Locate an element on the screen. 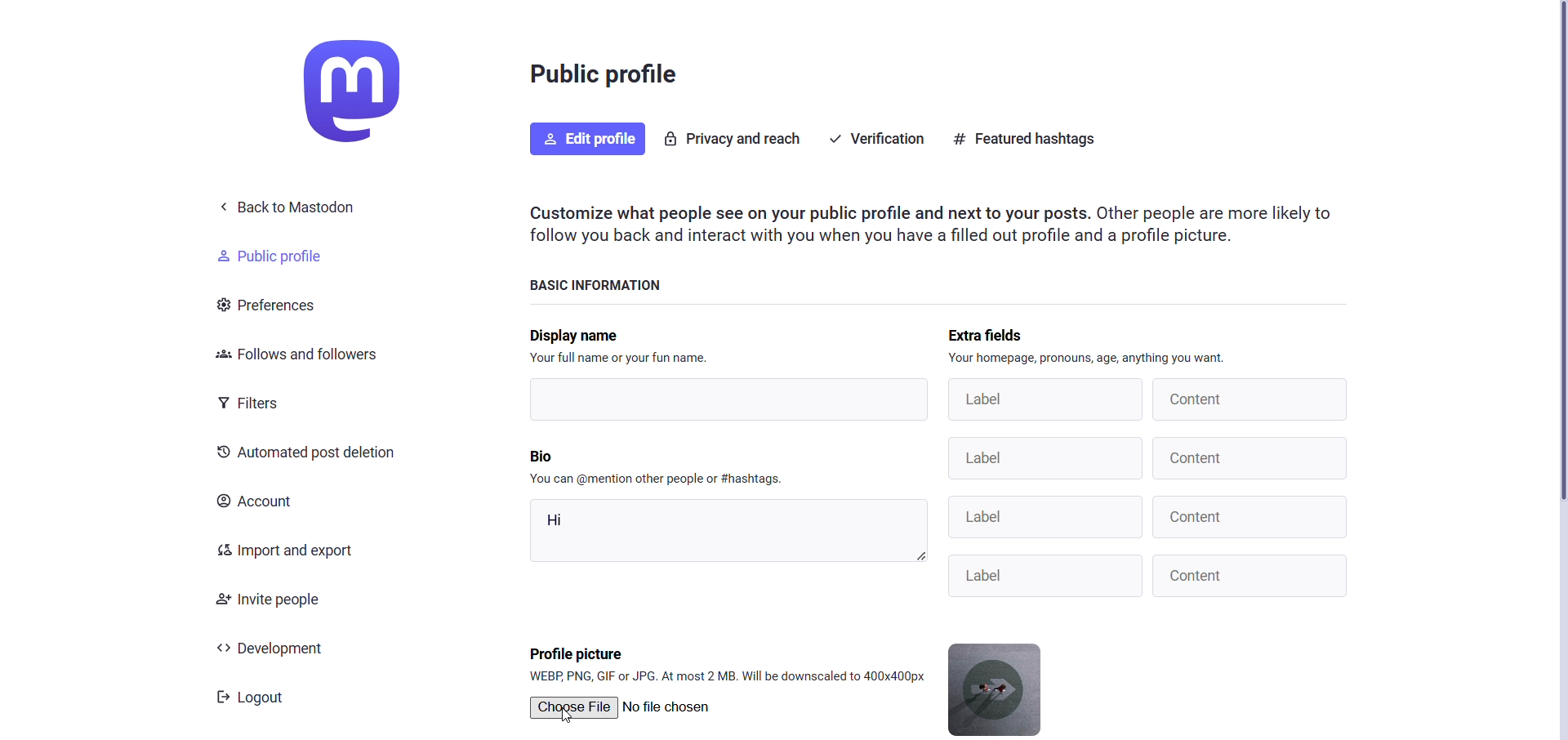  instruction is located at coordinates (927, 223).